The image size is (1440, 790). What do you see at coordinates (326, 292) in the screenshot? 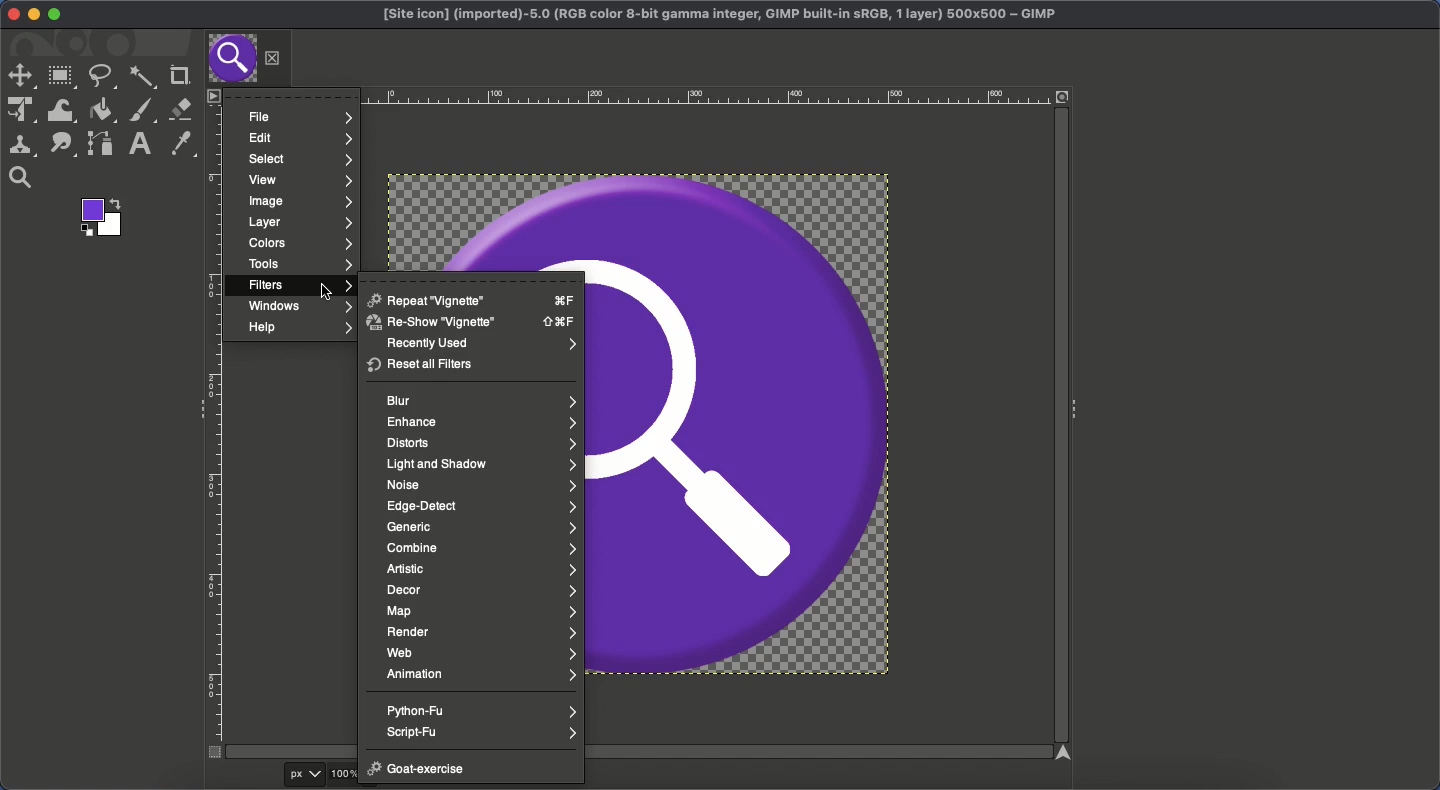
I see `cursor` at bounding box center [326, 292].